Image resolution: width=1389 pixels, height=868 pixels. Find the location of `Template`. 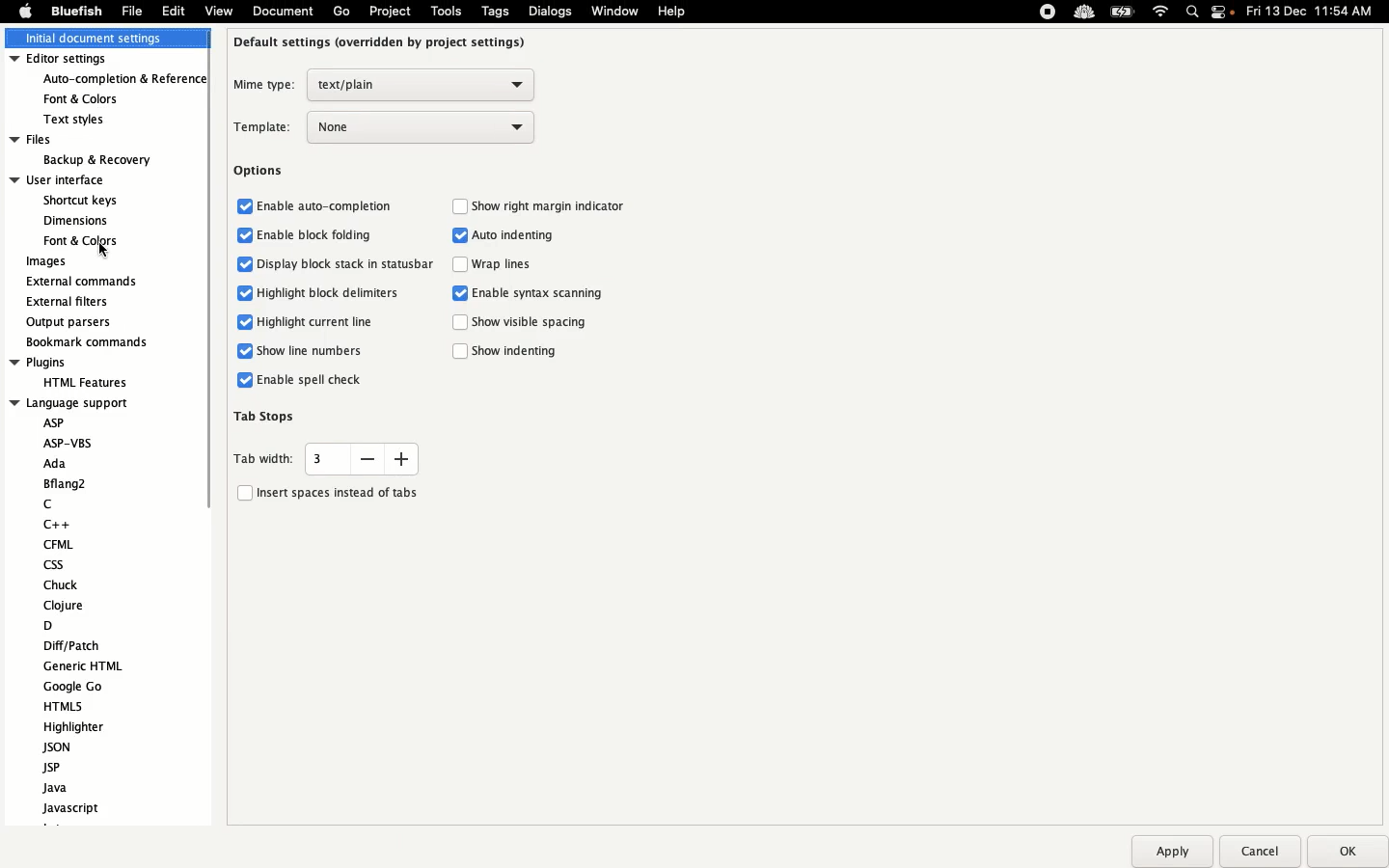

Template is located at coordinates (386, 127).